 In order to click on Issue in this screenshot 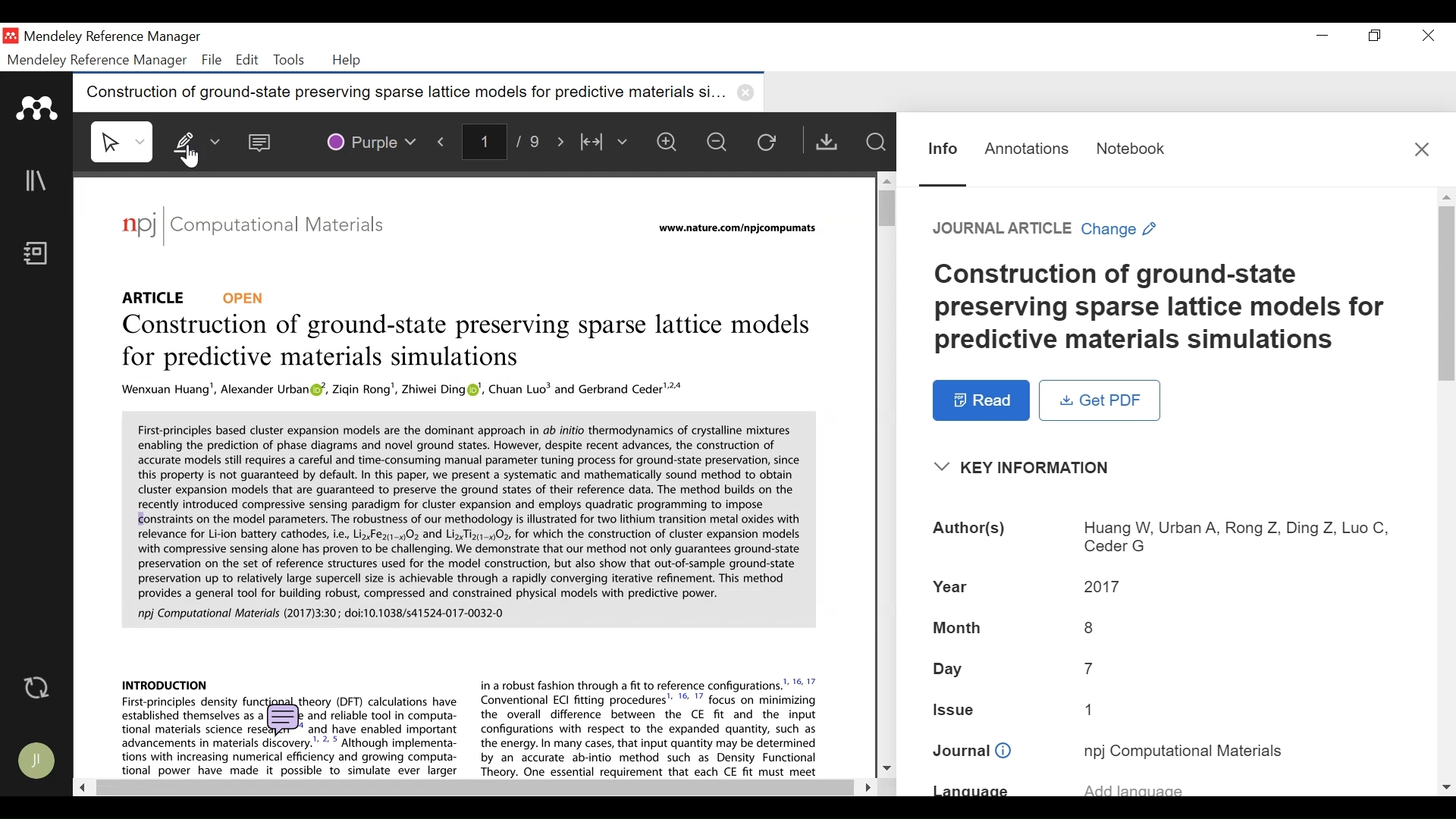, I will do `click(955, 708)`.